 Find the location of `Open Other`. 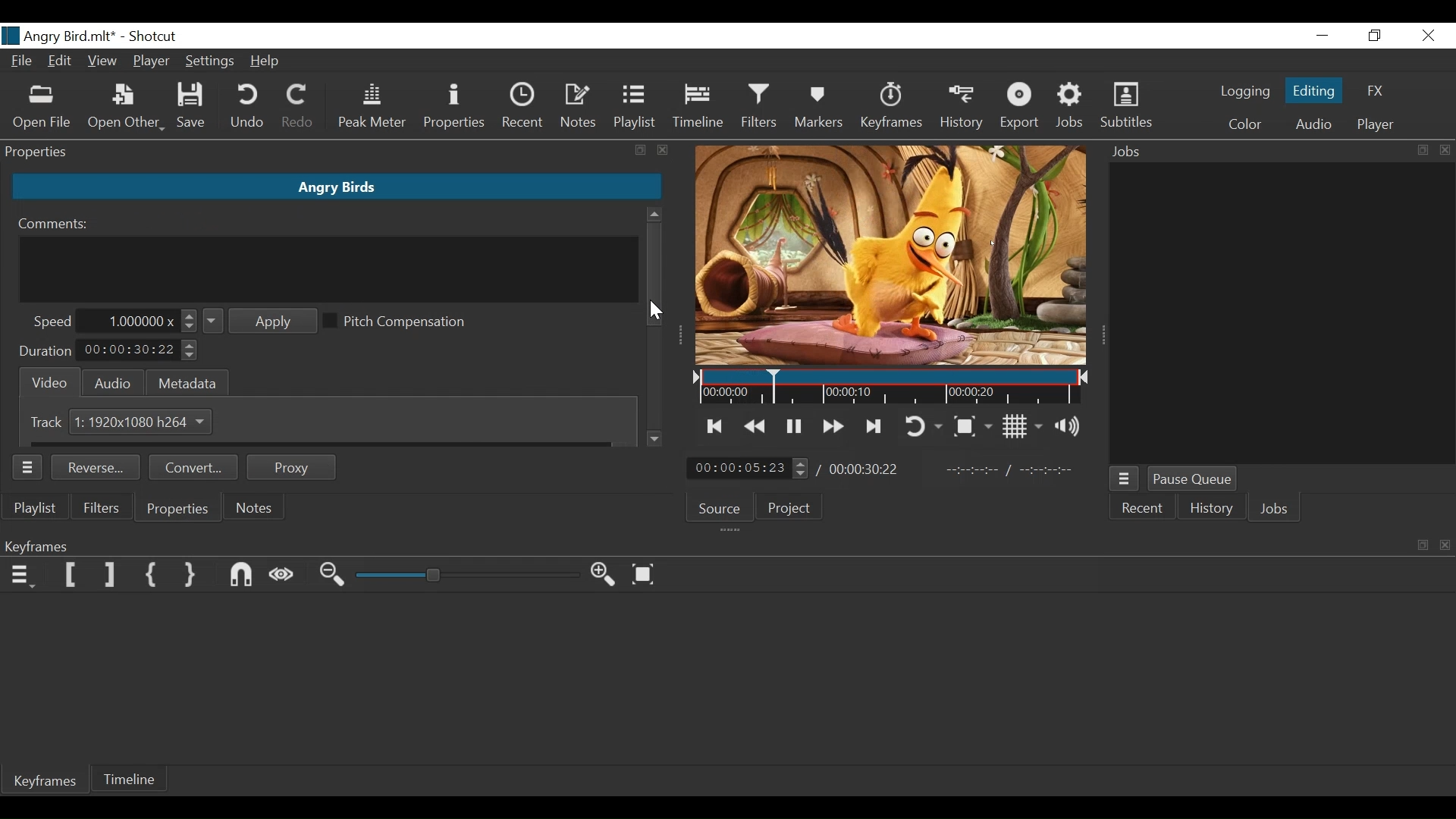

Open Other is located at coordinates (125, 108).